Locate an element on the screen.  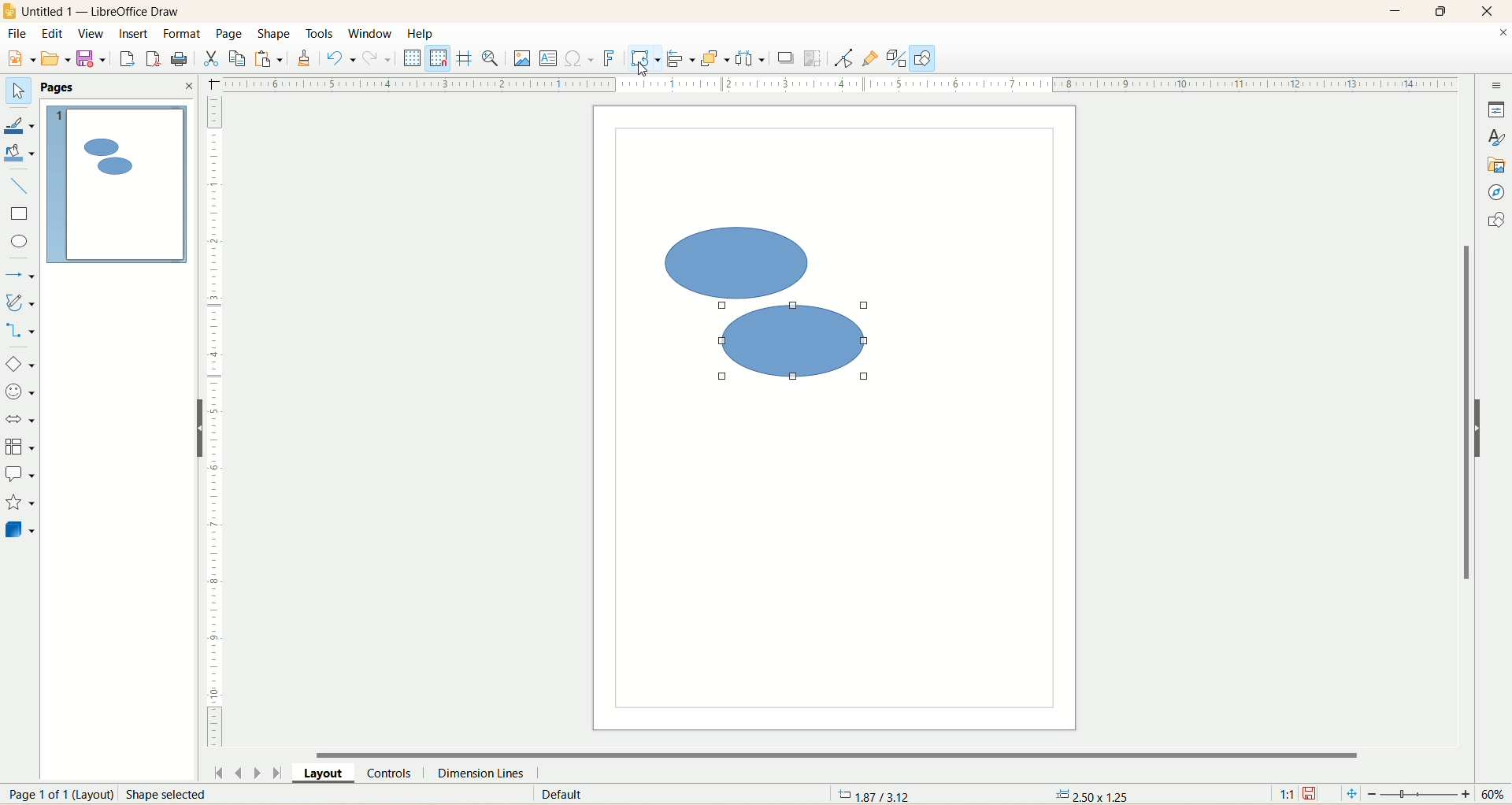
horizontal scroll bar is located at coordinates (843, 751).